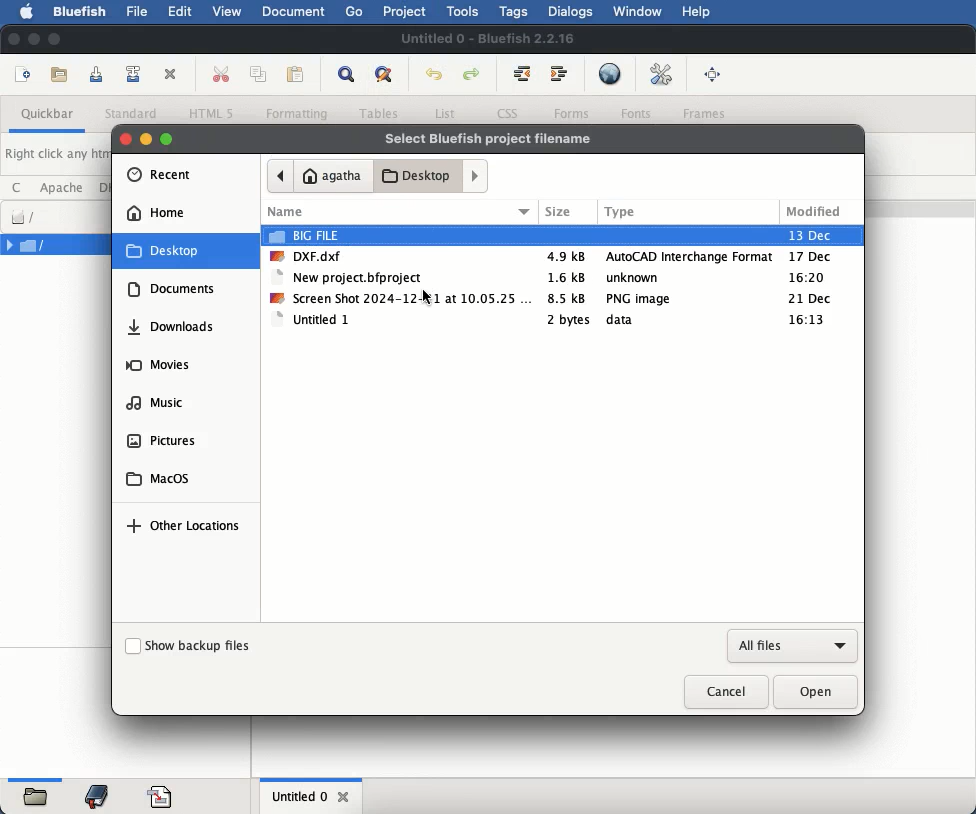  Describe the element at coordinates (96, 74) in the screenshot. I see `save current file` at that location.